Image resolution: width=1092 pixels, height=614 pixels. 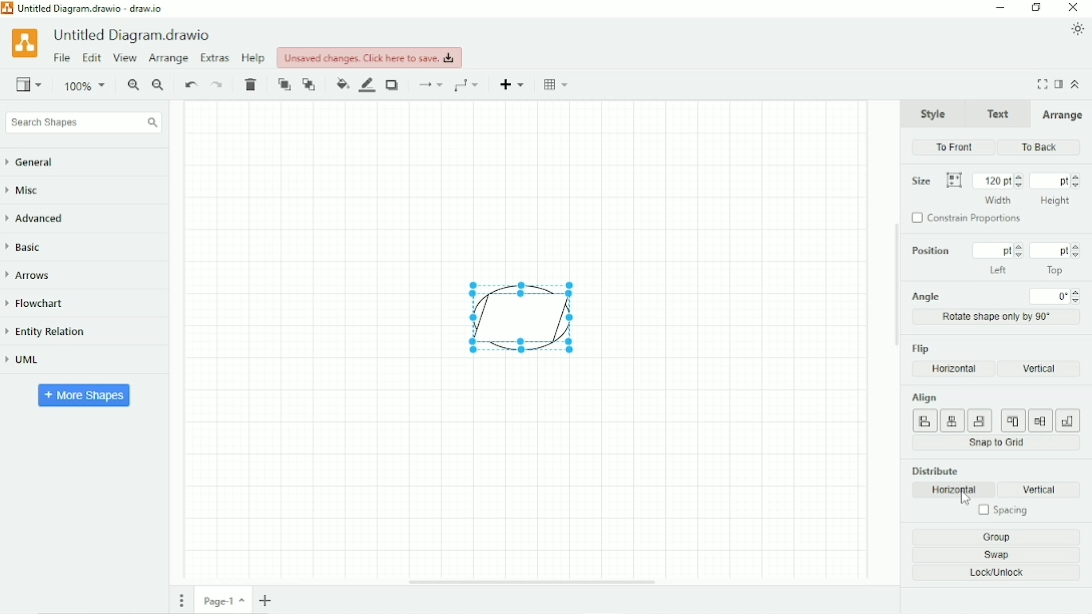 What do you see at coordinates (254, 58) in the screenshot?
I see `Help` at bounding box center [254, 58].